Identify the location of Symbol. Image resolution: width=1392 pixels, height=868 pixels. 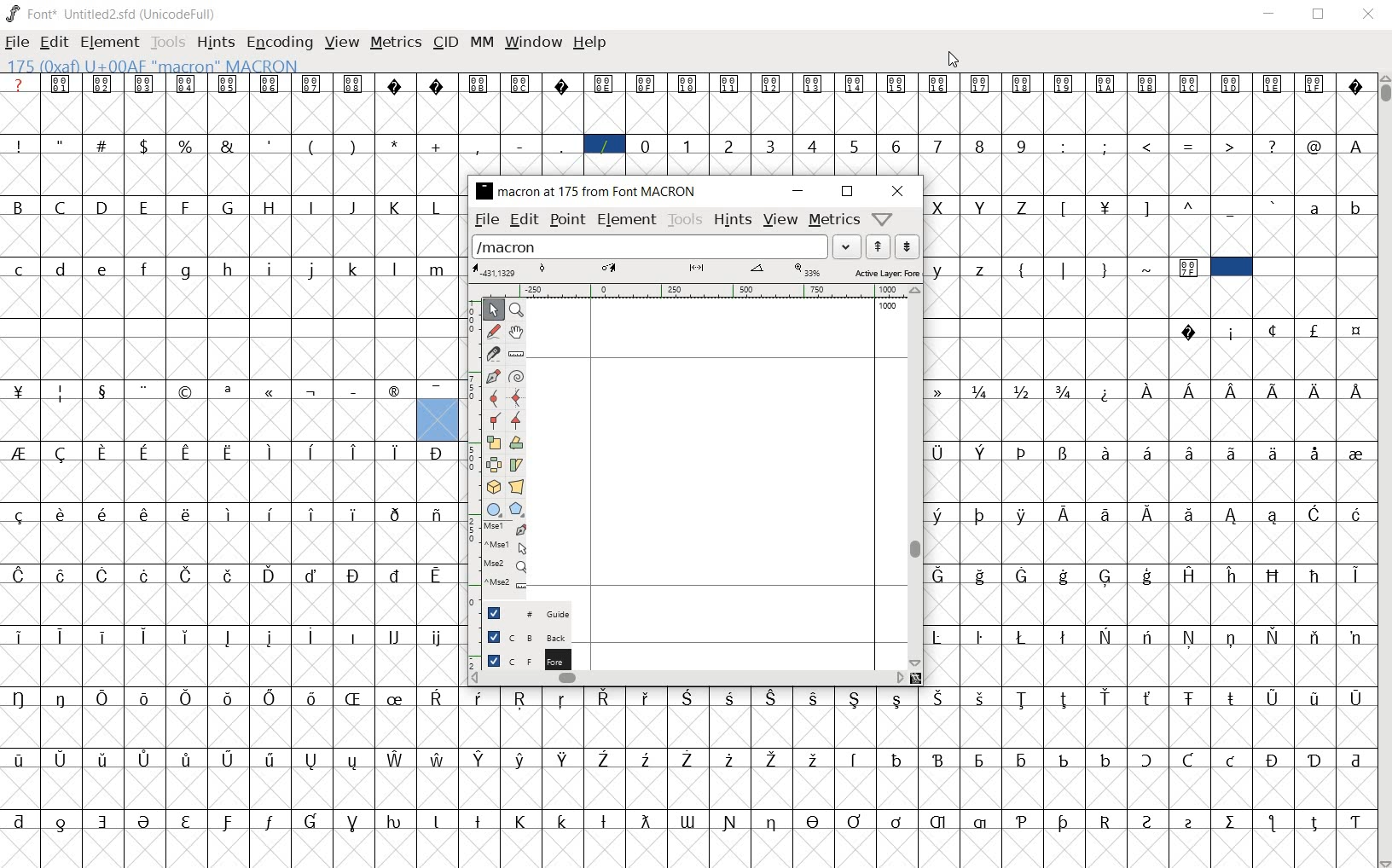
(941, 391).